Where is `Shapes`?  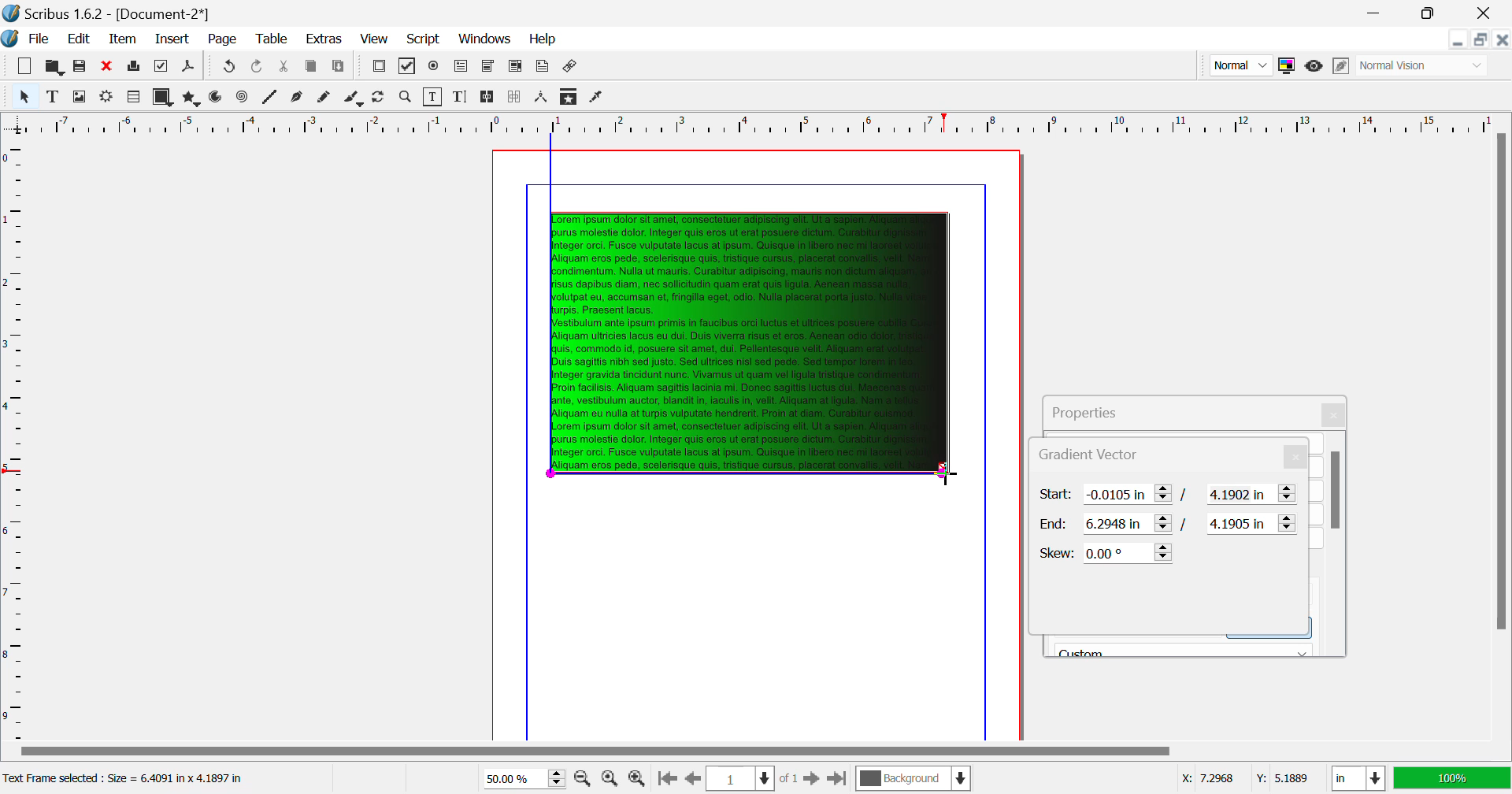 Shapes is located at coordinates (162, 97).